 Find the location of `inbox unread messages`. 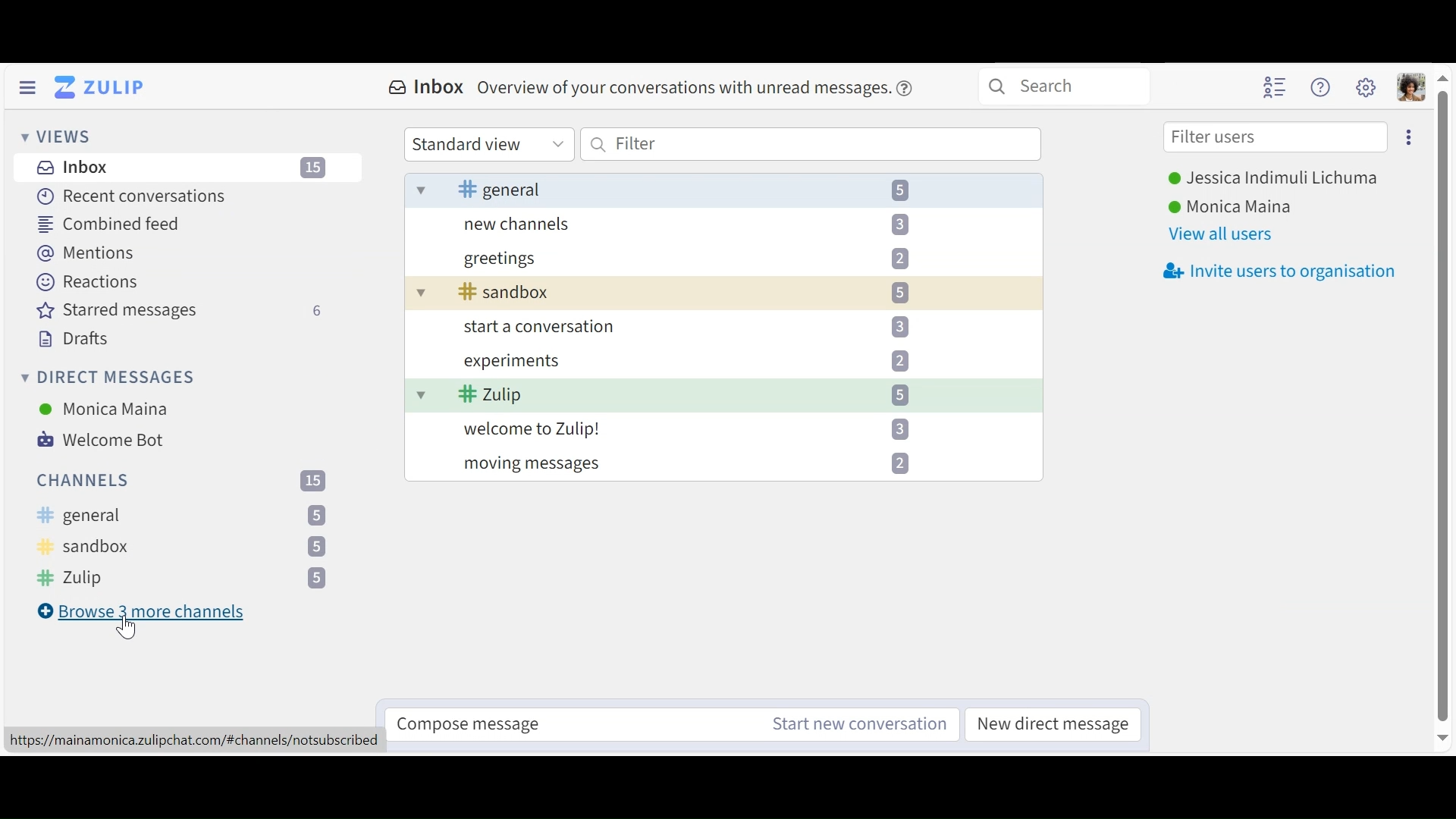

inbox unread messages is located at coordinates (723, 463).